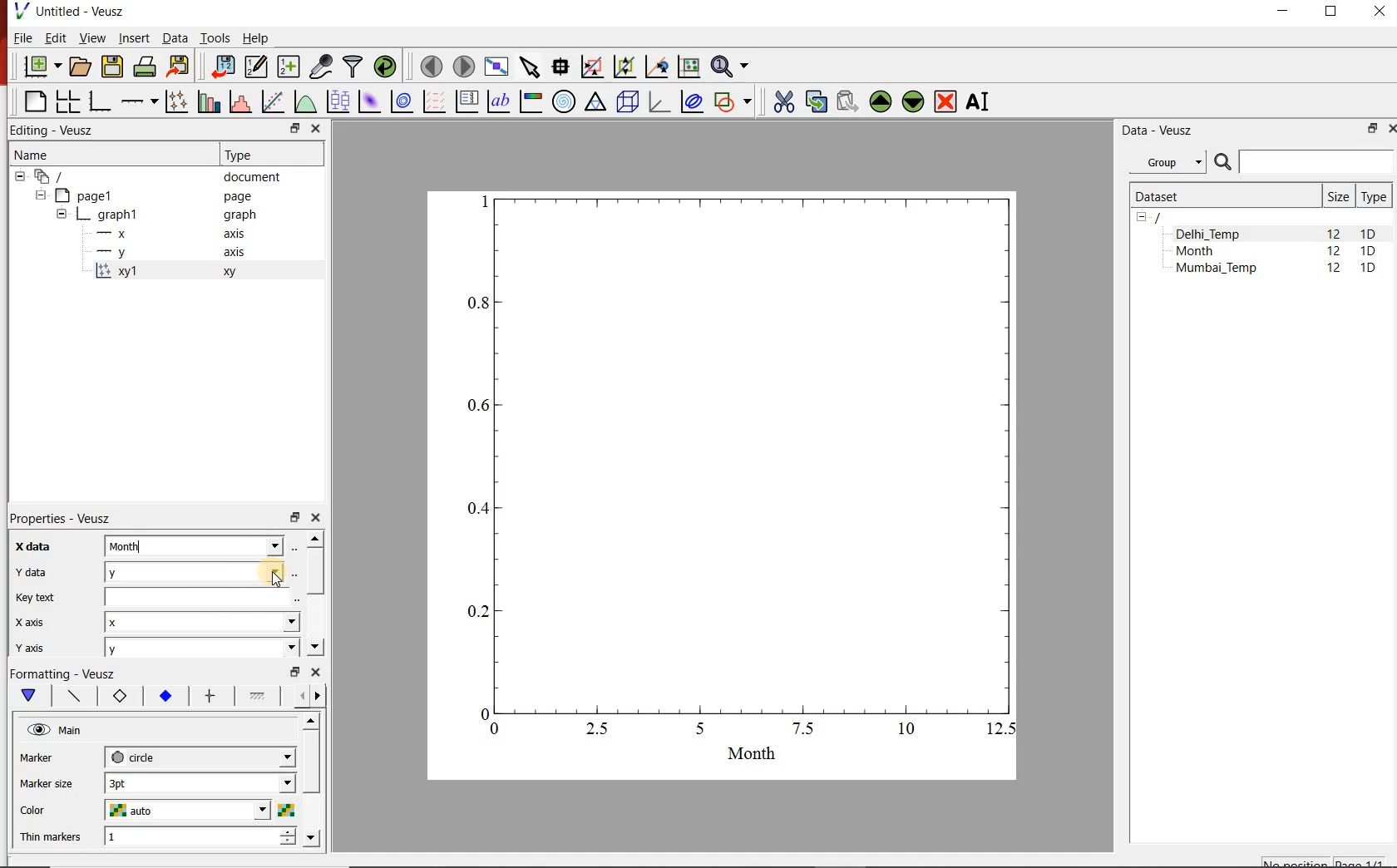 This screenshot has height=868, width=1397. What do you see at coordinates (67, 673) in the screenshot?
I see `Formatting - Veusz` at bounding box center [67, 673].